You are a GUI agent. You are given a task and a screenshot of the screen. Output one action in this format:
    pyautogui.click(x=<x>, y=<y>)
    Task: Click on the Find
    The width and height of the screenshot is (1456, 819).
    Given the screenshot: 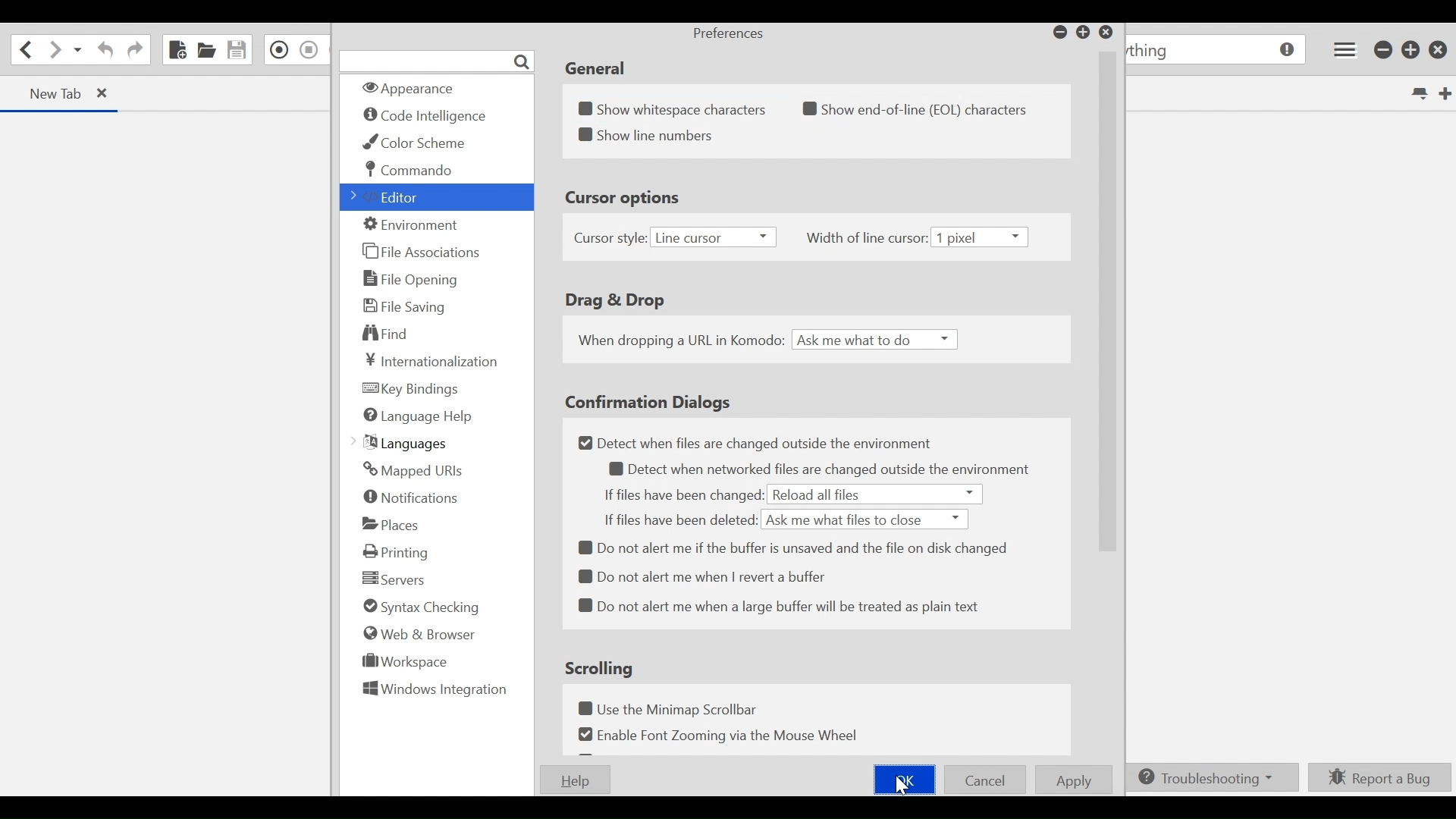 What is the action you would take?
    pyautogui.click(x=392, y=334)
    